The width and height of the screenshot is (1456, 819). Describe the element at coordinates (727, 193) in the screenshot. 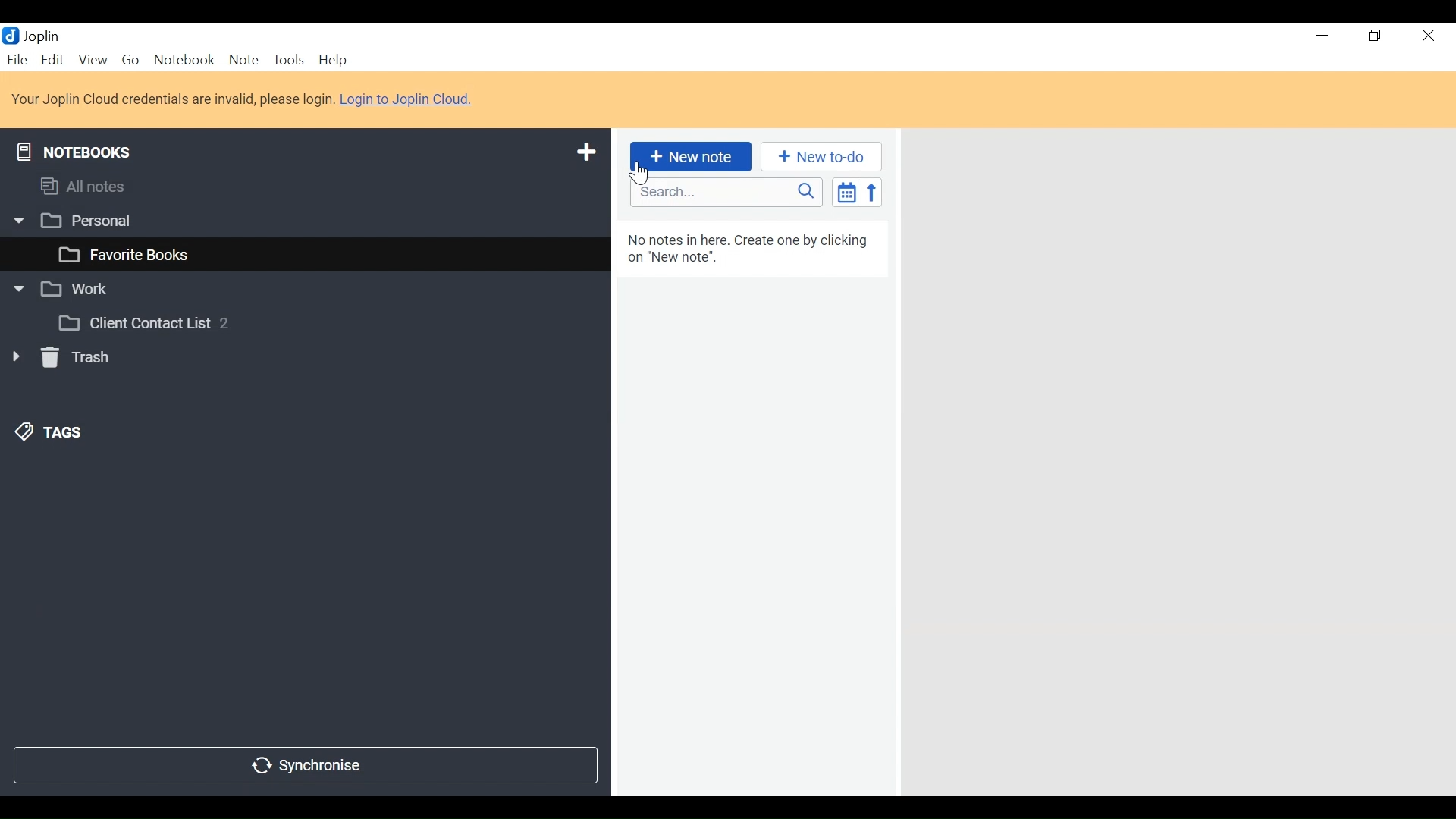

I see `Search` at that location.